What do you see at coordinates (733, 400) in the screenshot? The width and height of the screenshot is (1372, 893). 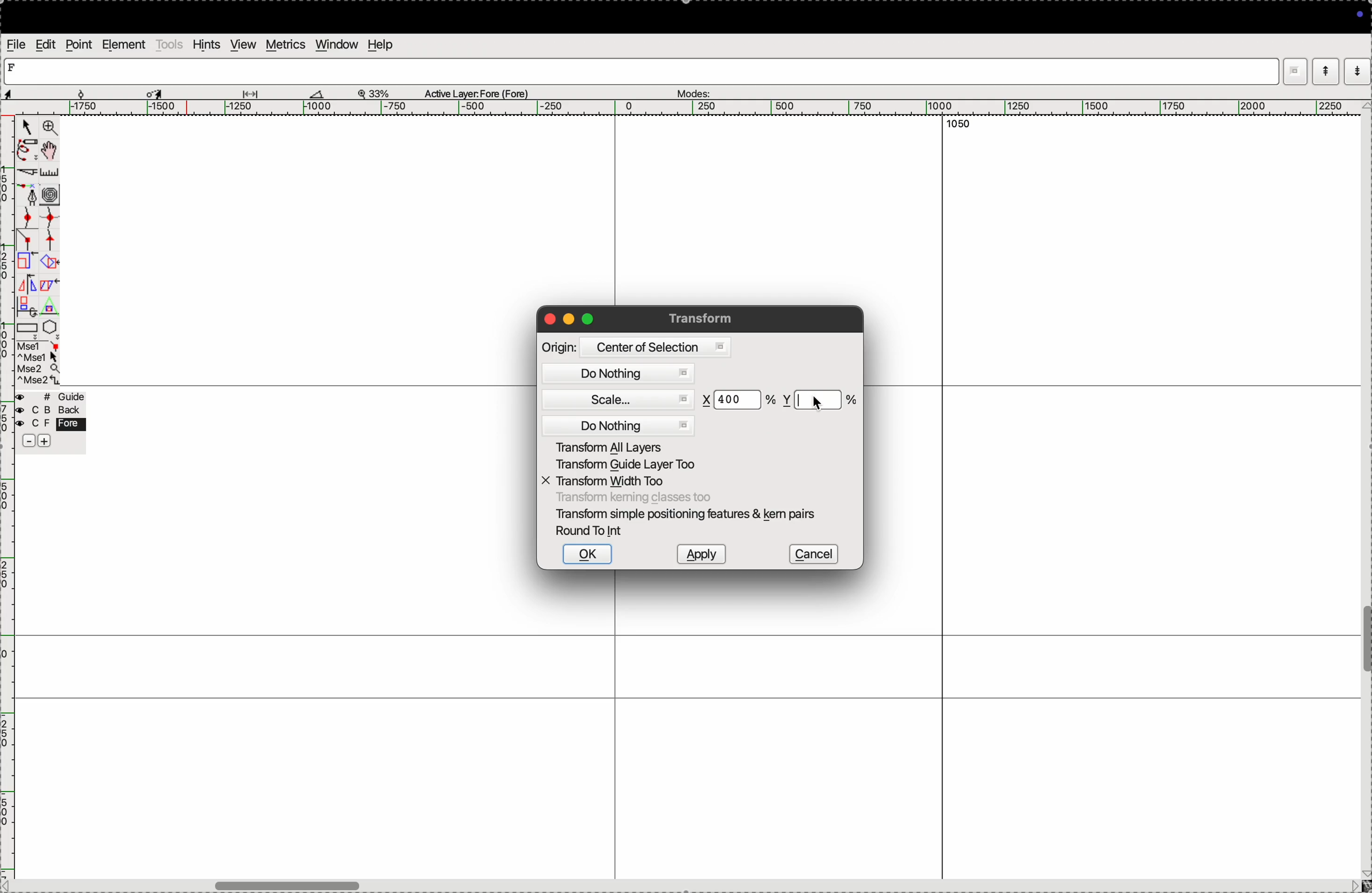 I see `400` at bounding box center [733, 400].